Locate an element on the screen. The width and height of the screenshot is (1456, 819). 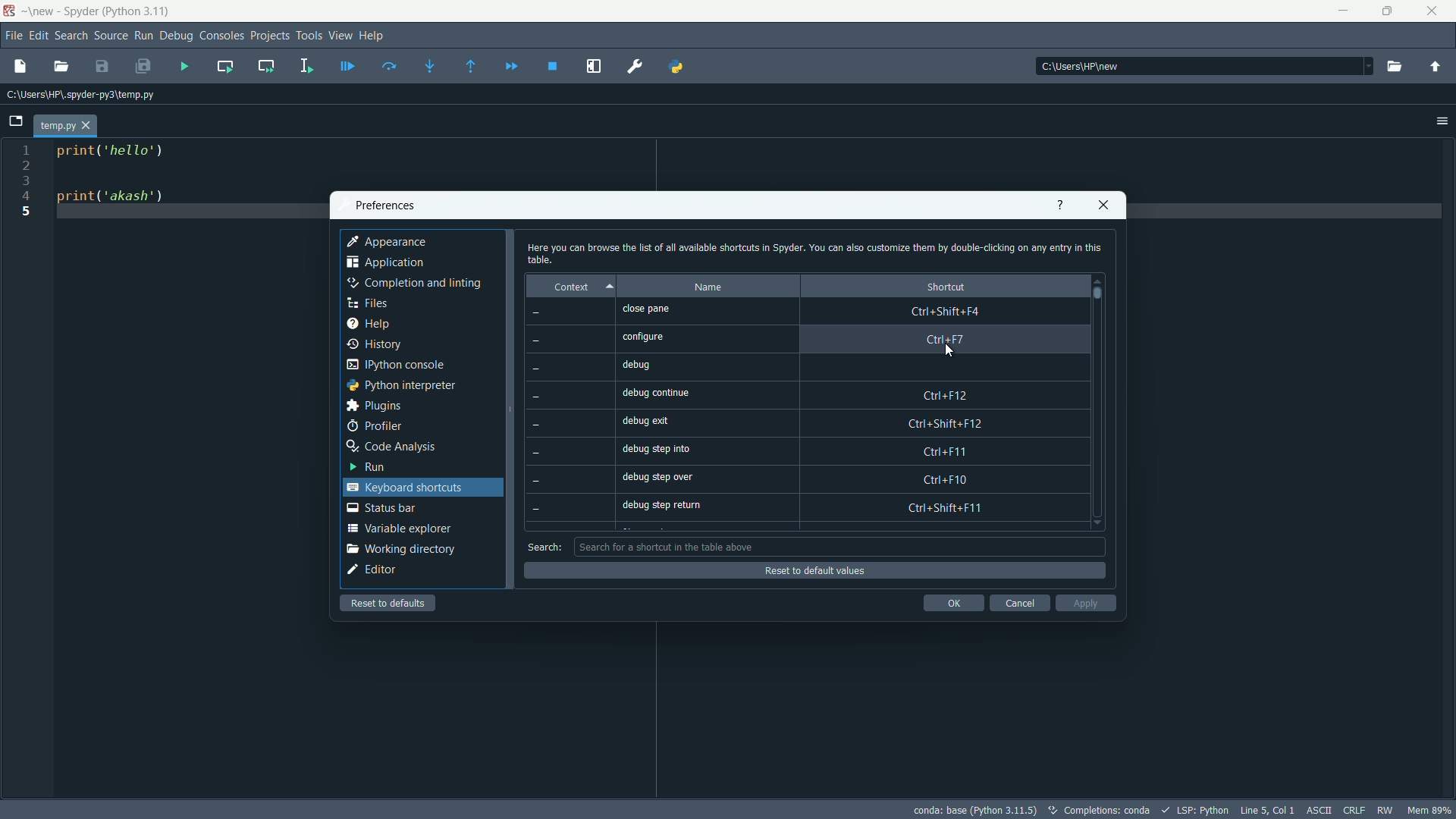
reset to default is located at coordinates (390, 603).